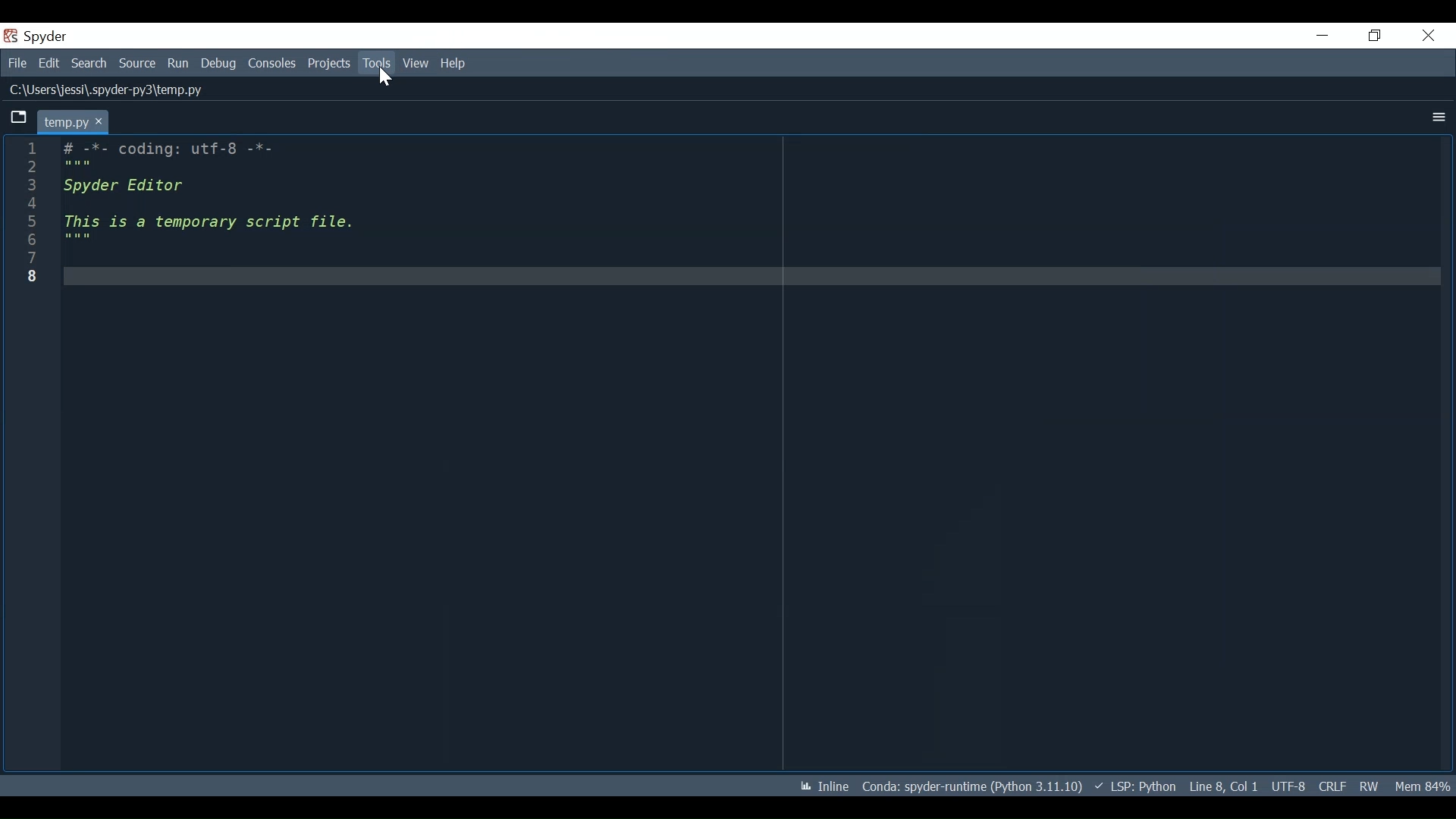 The image size is (1456, 819). What do you see at coordinates (1429, 36) in the screenshot?
I see `Close` at bounding box center [1429, 36].